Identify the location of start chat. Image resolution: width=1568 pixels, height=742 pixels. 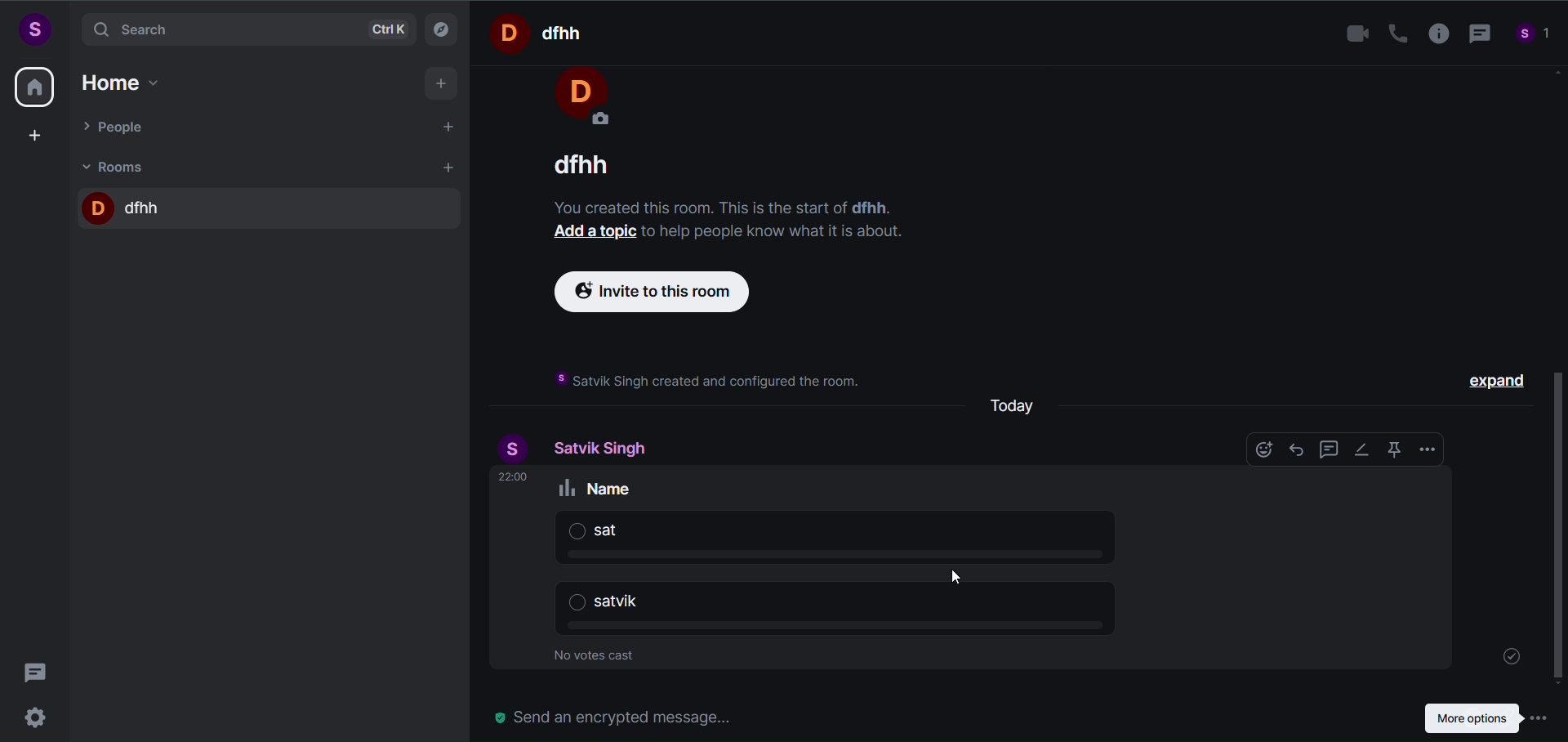
(450, 128).